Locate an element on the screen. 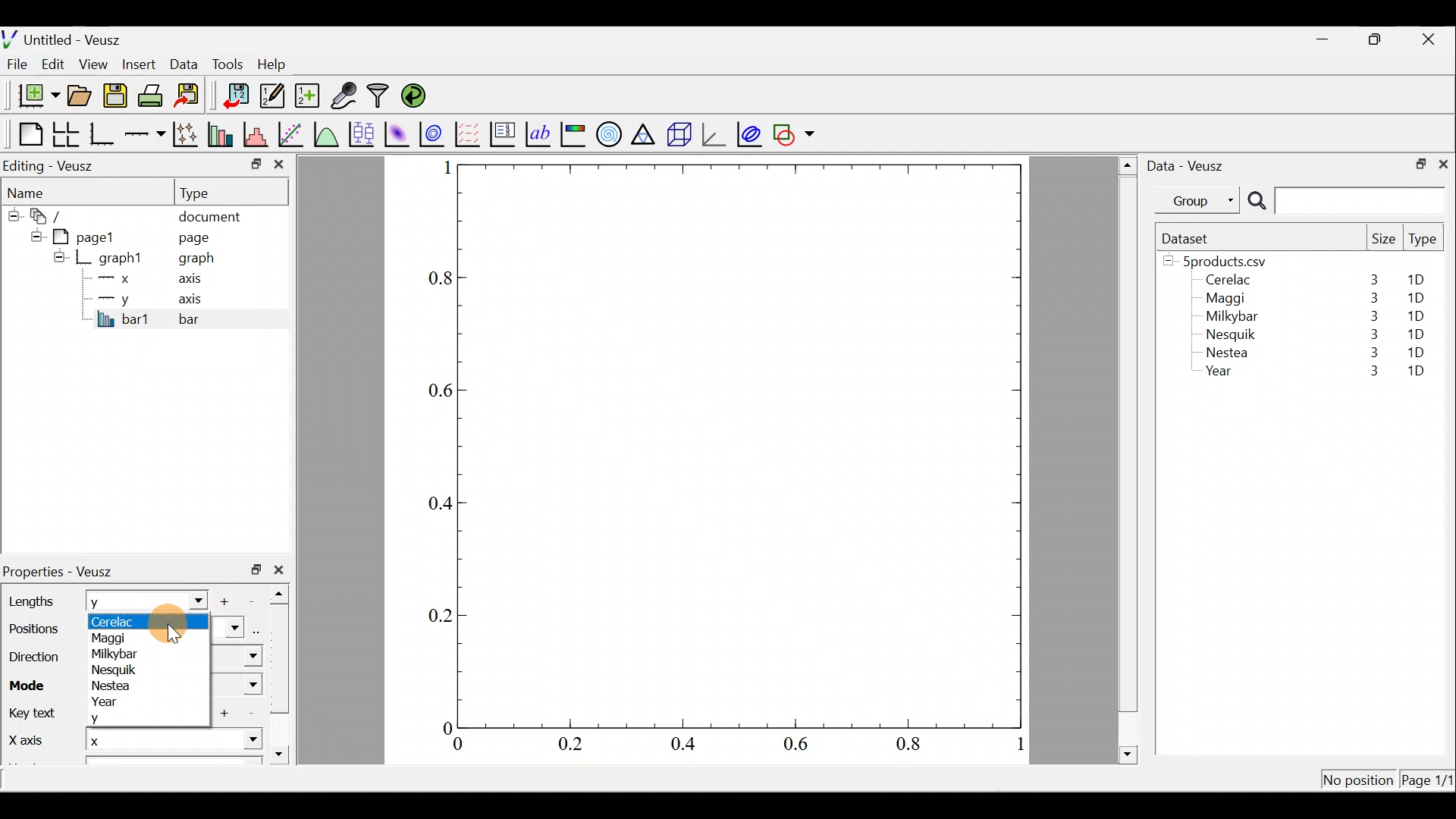 Image resolution: width=1456 pixels, height=819 pixels. Filter data is located at coordinates (381, 97).